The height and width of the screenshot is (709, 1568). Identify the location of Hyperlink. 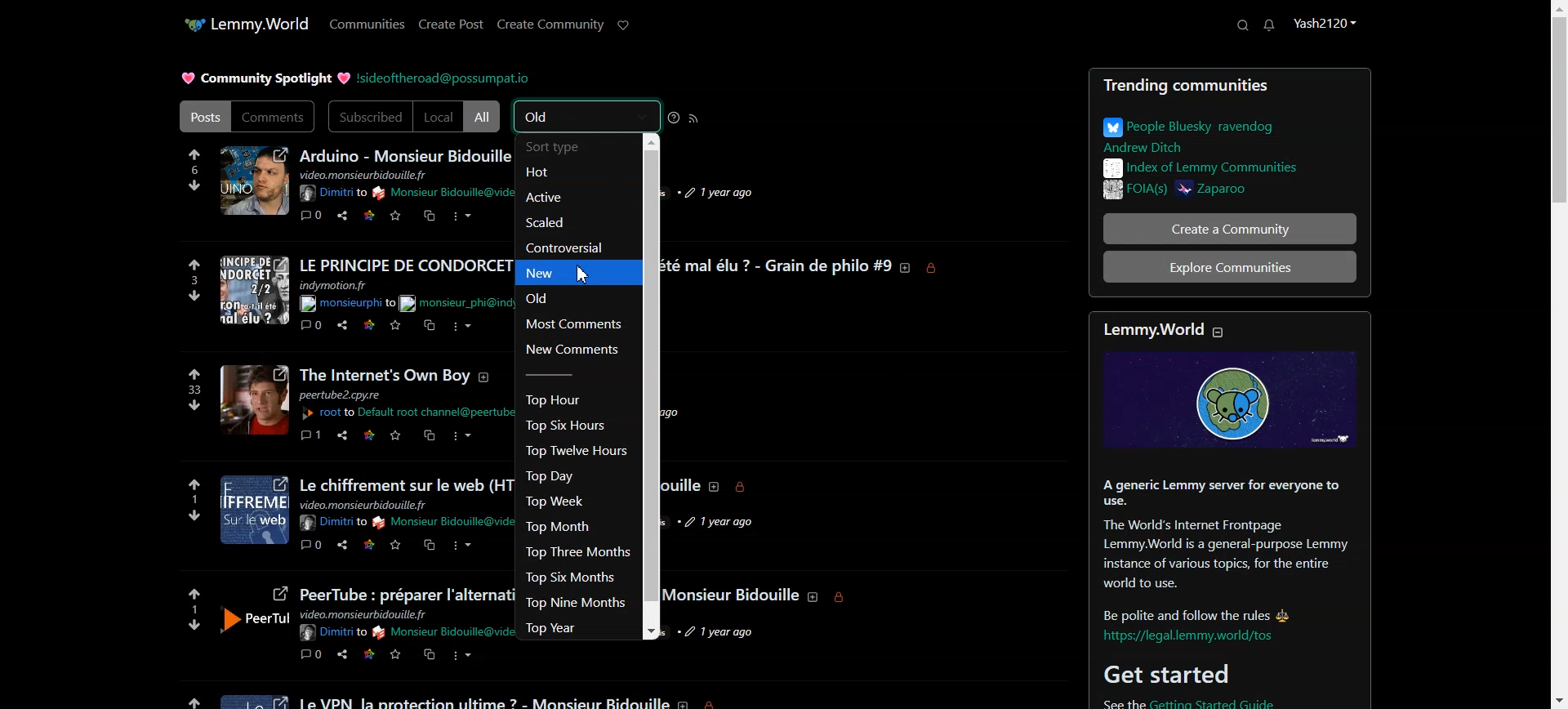
(443, 78).